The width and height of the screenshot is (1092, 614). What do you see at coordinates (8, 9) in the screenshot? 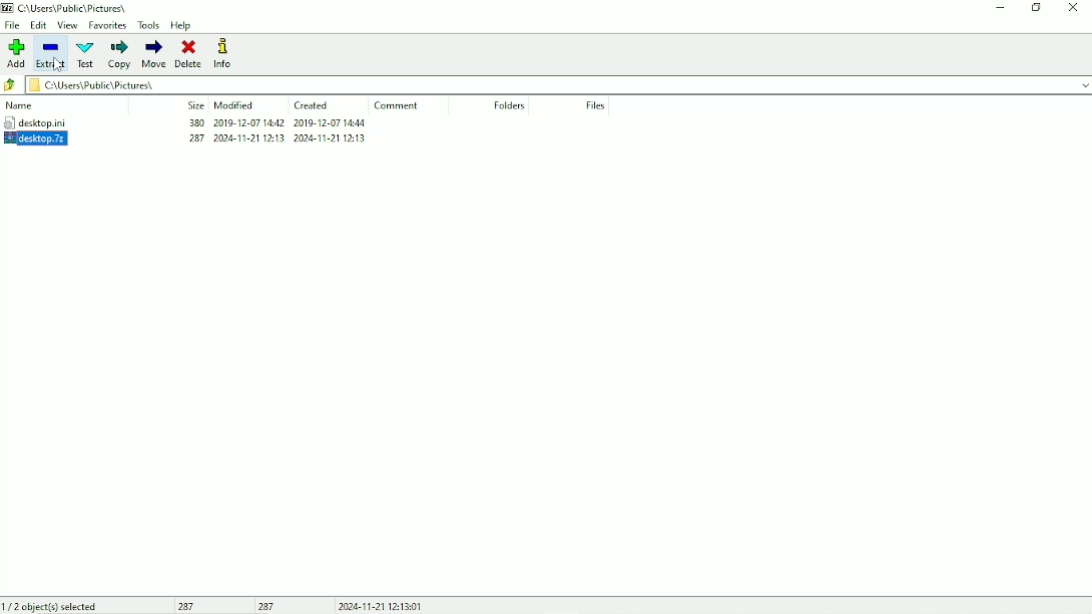
I see `7 zip logo` at bounding box center [8, 9].